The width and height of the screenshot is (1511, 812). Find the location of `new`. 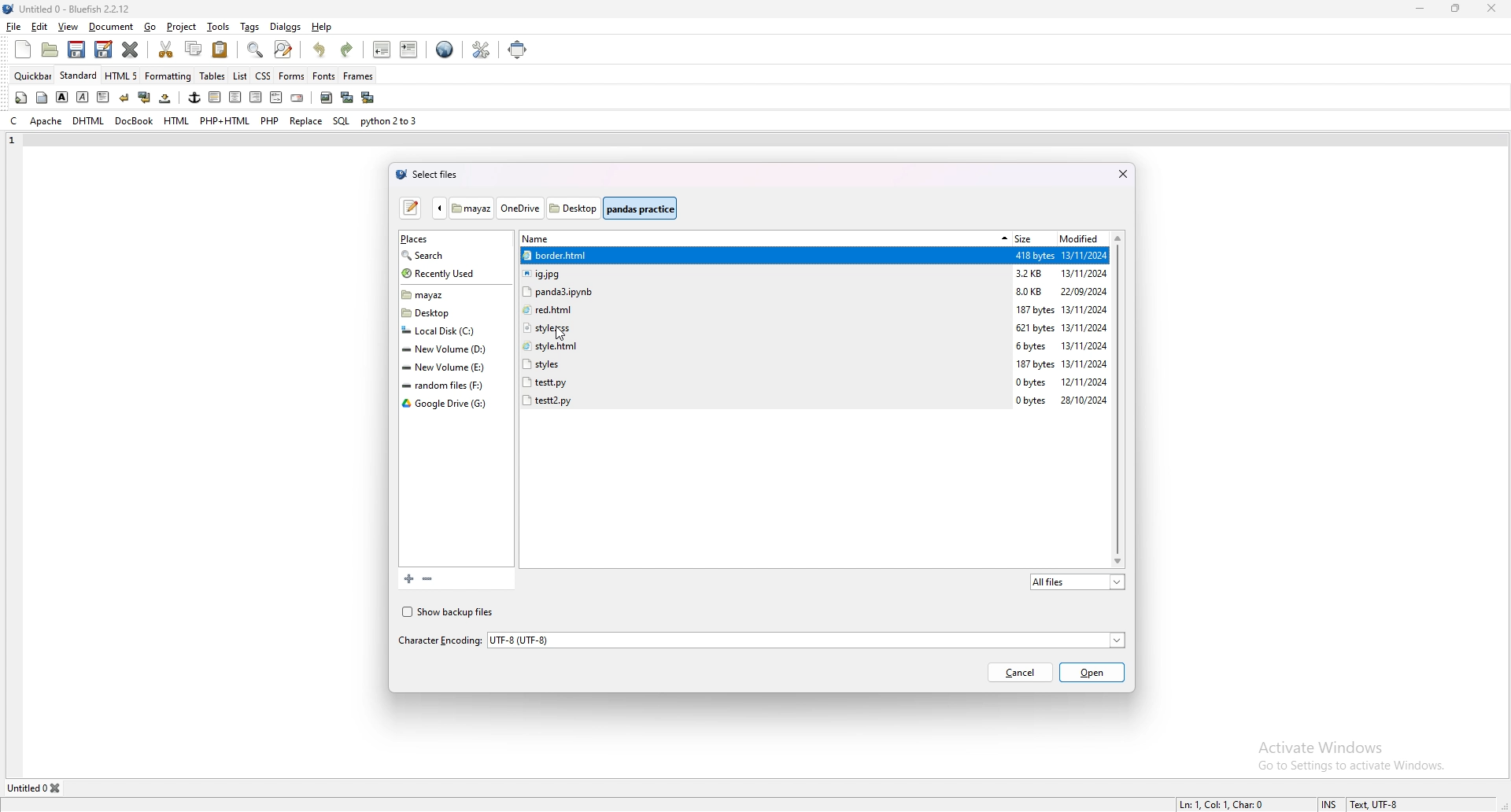

new is located at coordinates (23, 50).